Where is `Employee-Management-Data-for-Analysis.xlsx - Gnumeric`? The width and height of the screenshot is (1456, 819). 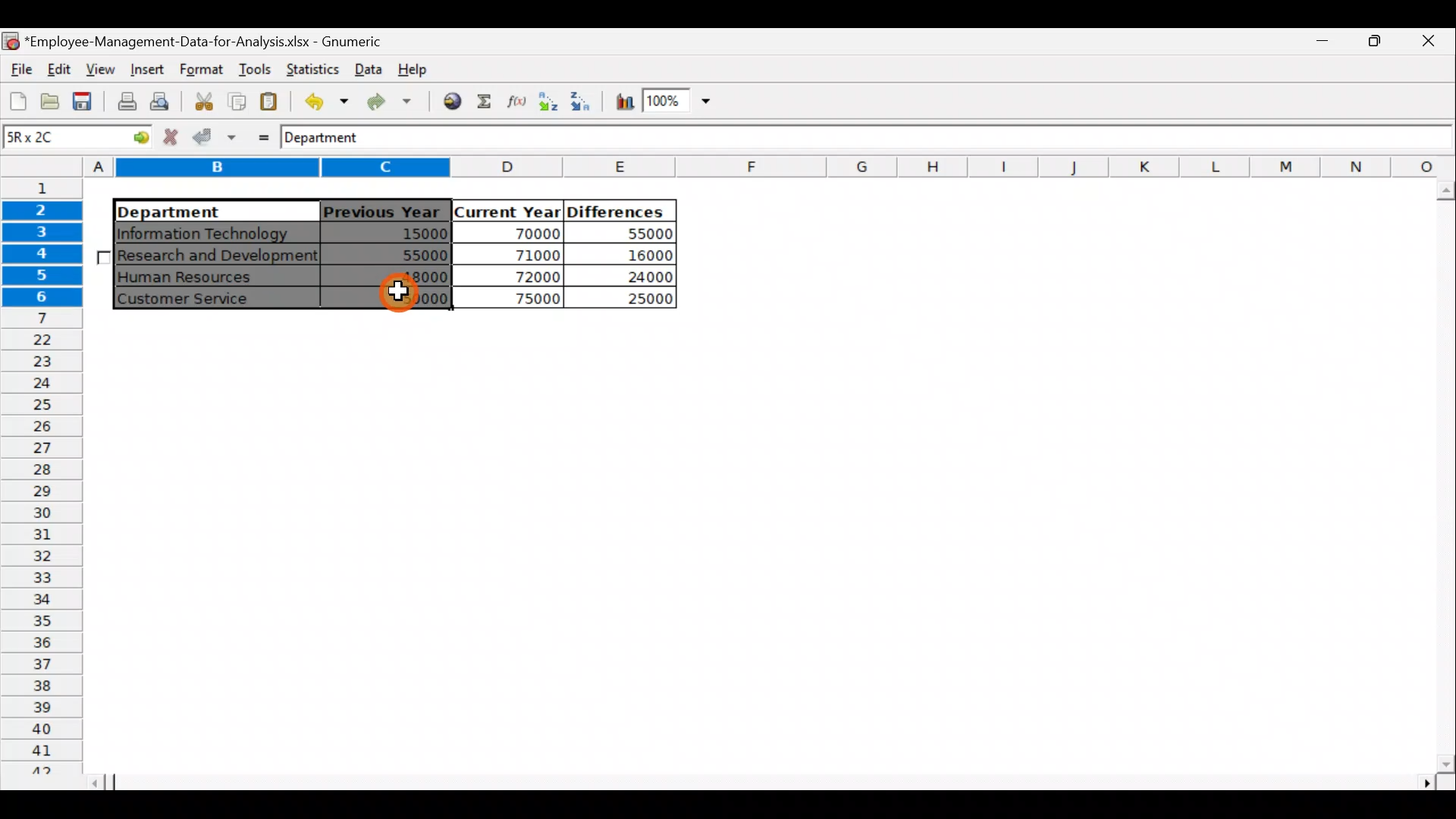 Employee-Management-Data-for-Analysis.xlsx - Gnumeric is located at coordinates (214, 40).